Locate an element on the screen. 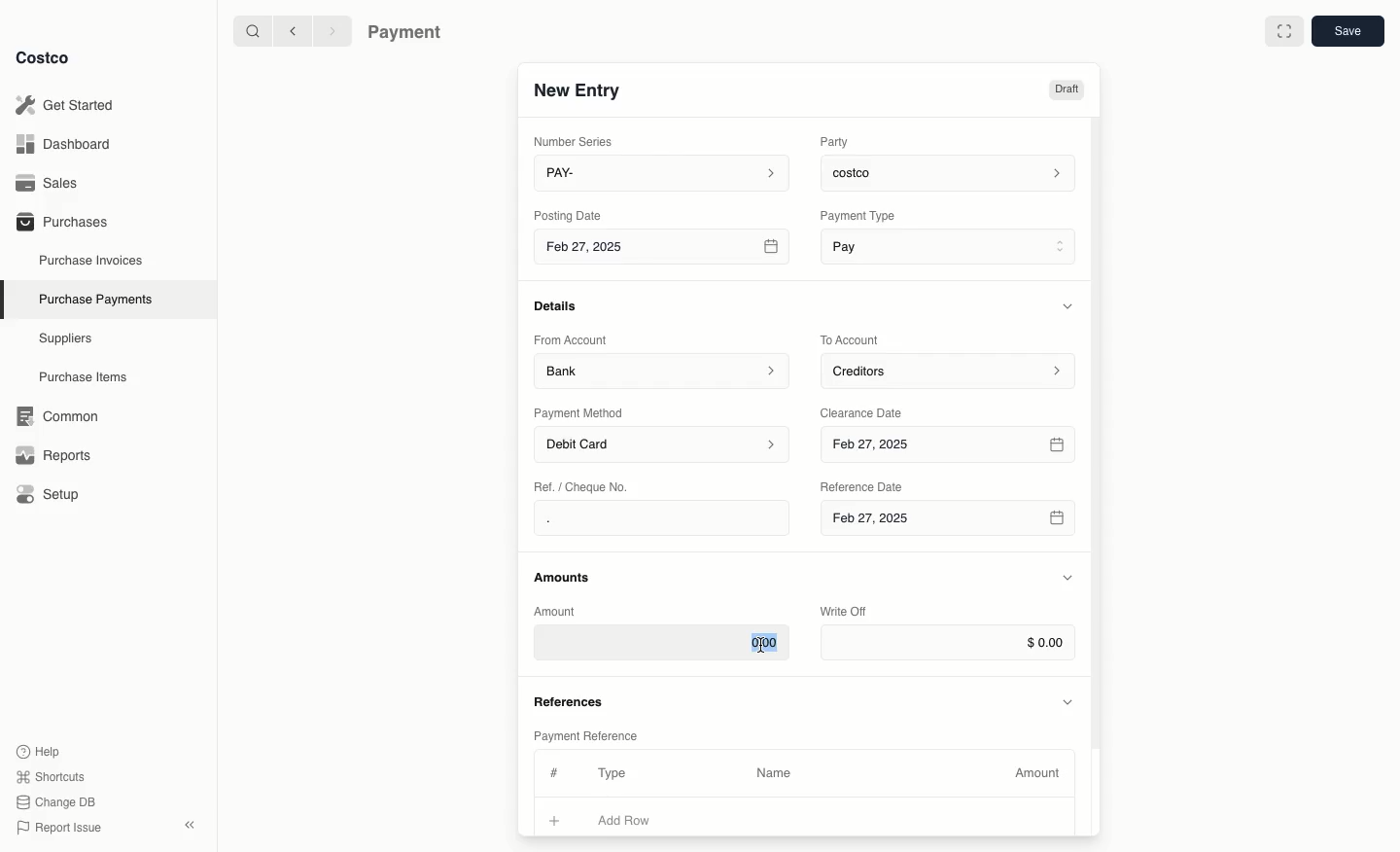 This screenshot has width=1400, height=852. Creditors is located at coordinates (951, 370).